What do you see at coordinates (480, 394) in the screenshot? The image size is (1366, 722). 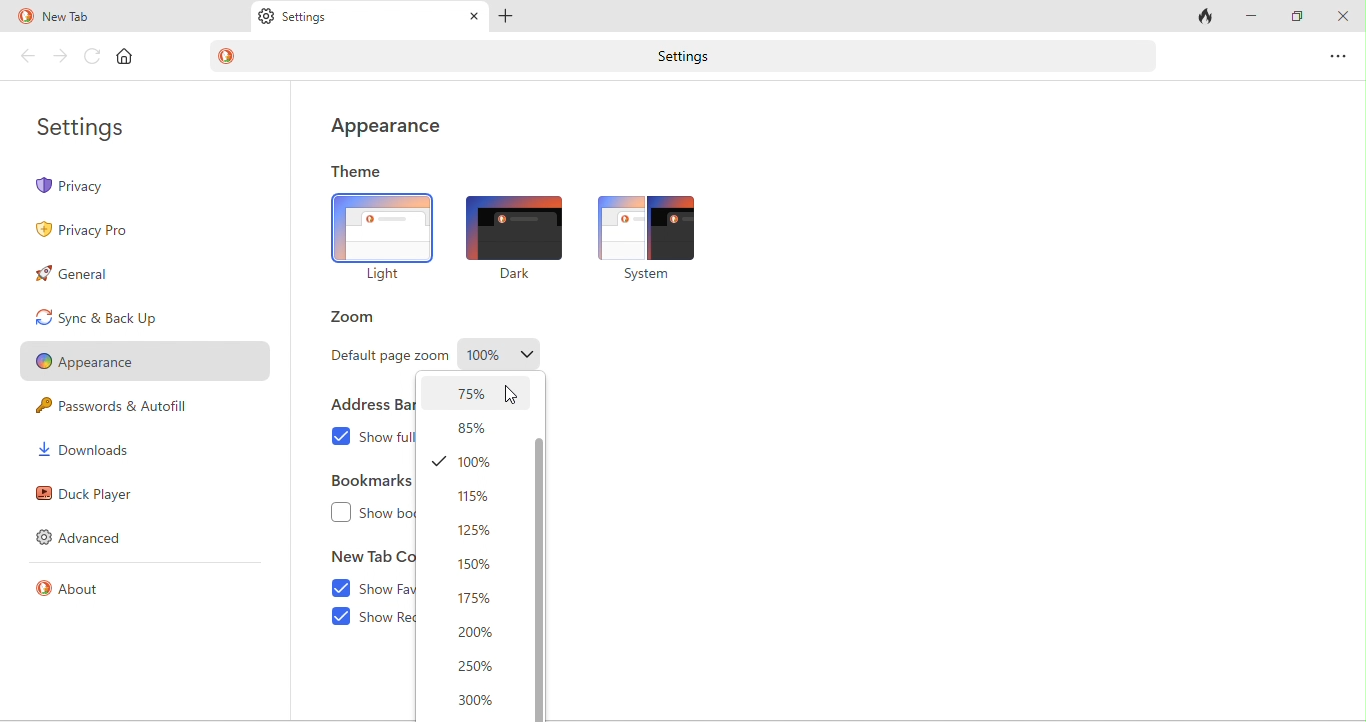 I see `selected zoom page-75%` at bounding box center [480, 394].